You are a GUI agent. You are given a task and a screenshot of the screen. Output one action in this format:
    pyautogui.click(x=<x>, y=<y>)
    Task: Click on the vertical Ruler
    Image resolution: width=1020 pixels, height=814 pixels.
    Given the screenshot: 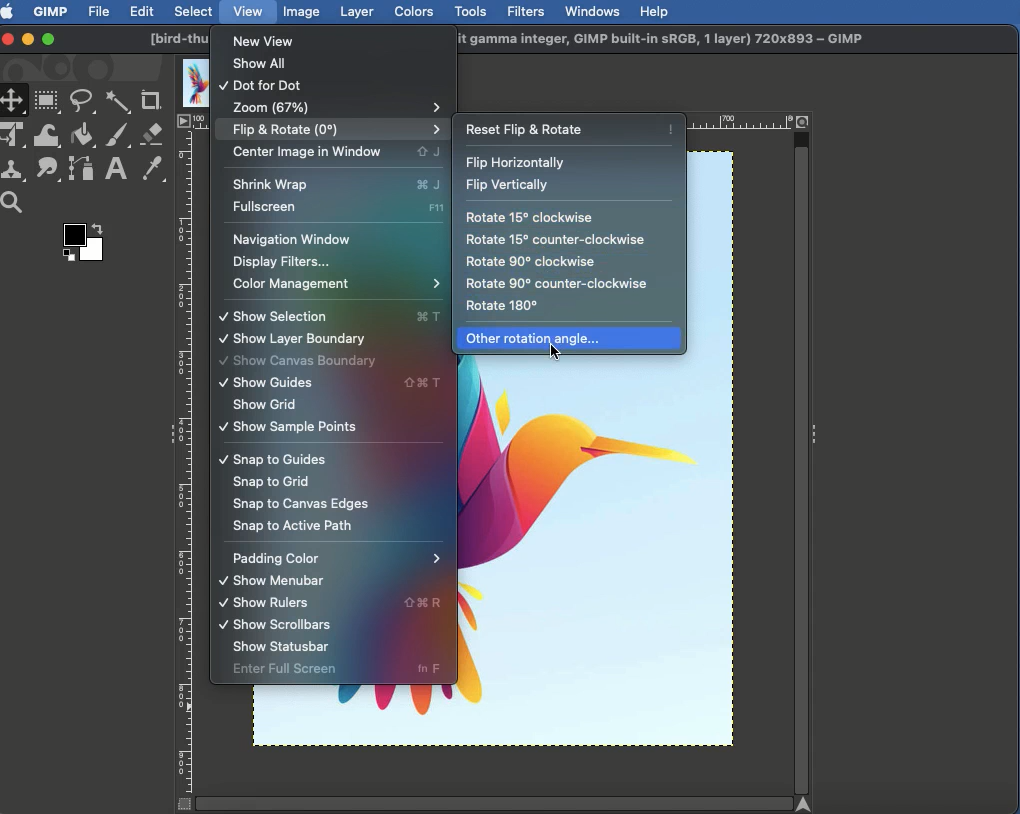 What is the action you would take?
    pyautogui.click(x=186, y=462)
    